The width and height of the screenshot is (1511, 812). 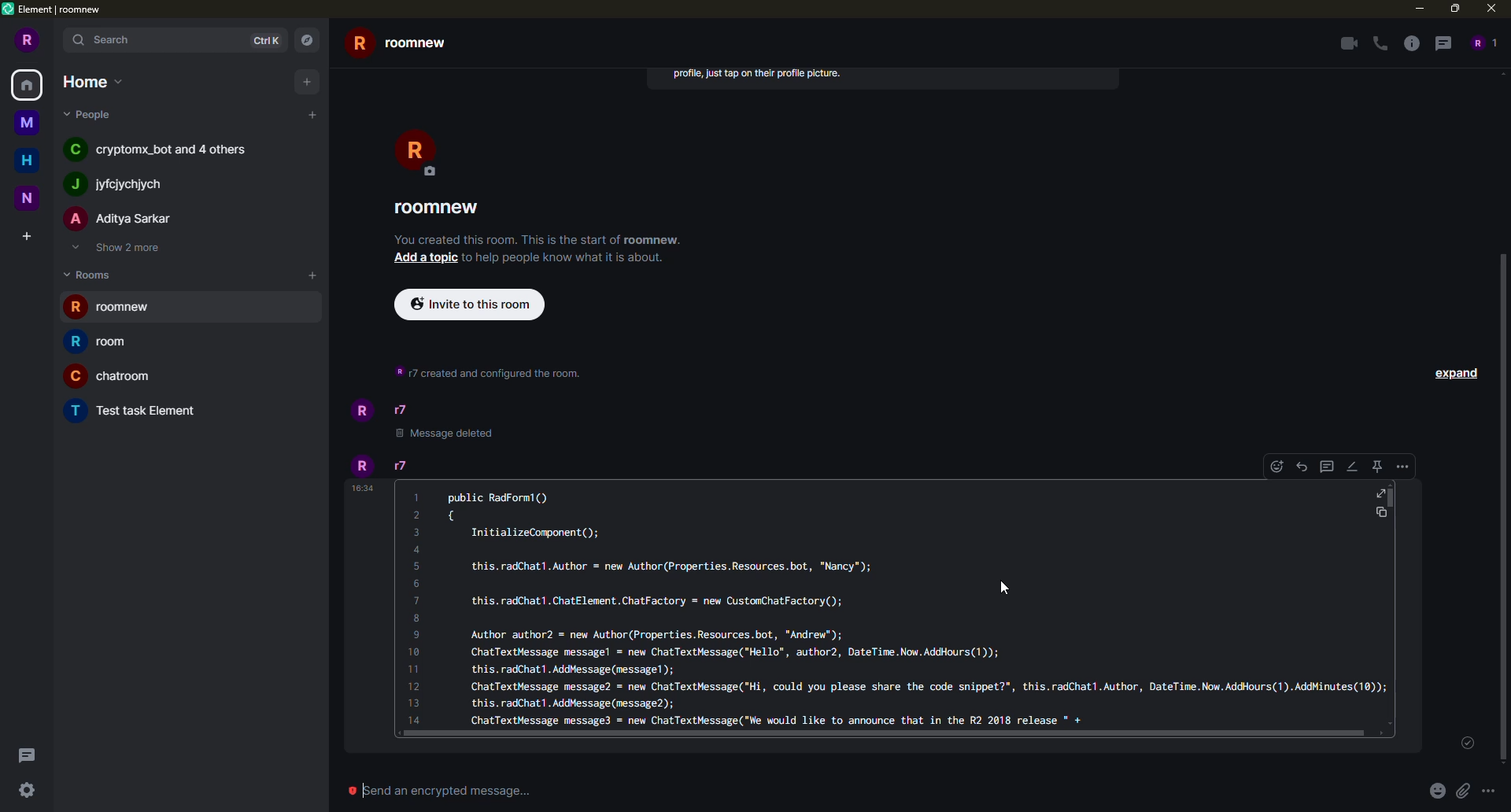 I want to click on maximize, so click(x=1453, y=9).